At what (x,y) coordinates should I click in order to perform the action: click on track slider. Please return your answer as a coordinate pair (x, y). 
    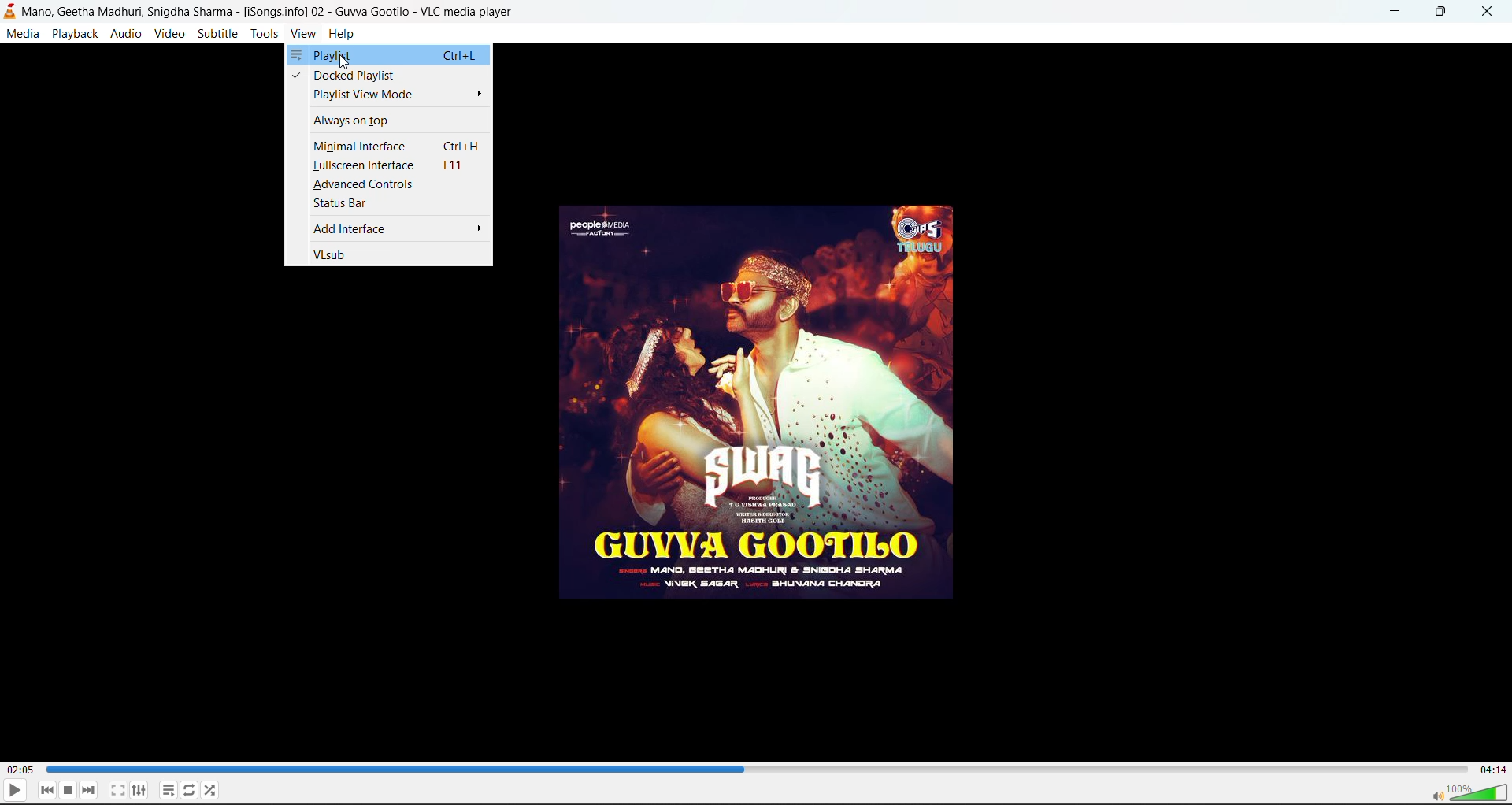
    Looking at the image, I should click on (573, 769).